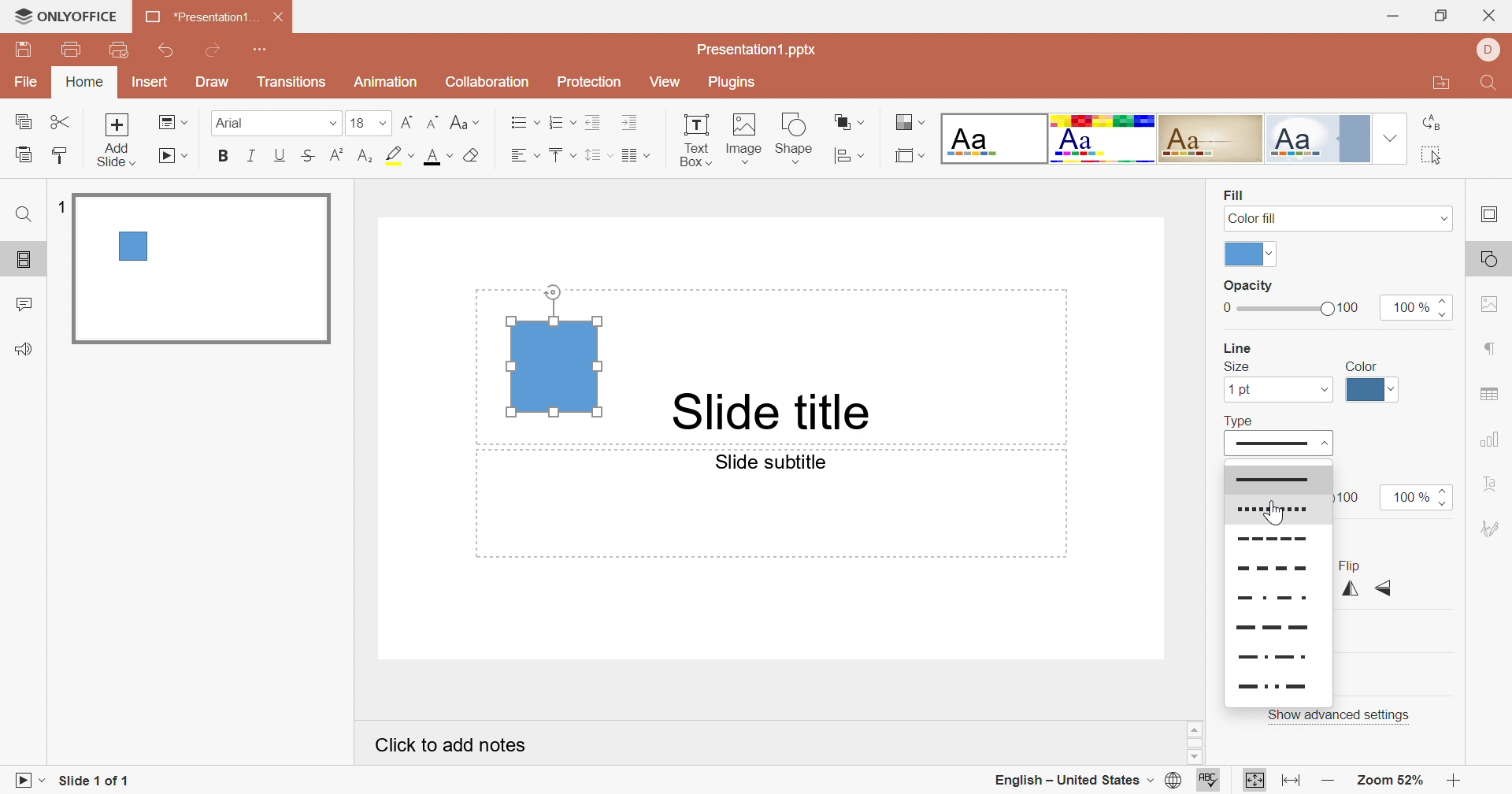  What do you see at coordinates (1273, 569) in the screenshot?
I see `Line` at bounding box center [1273, 569].